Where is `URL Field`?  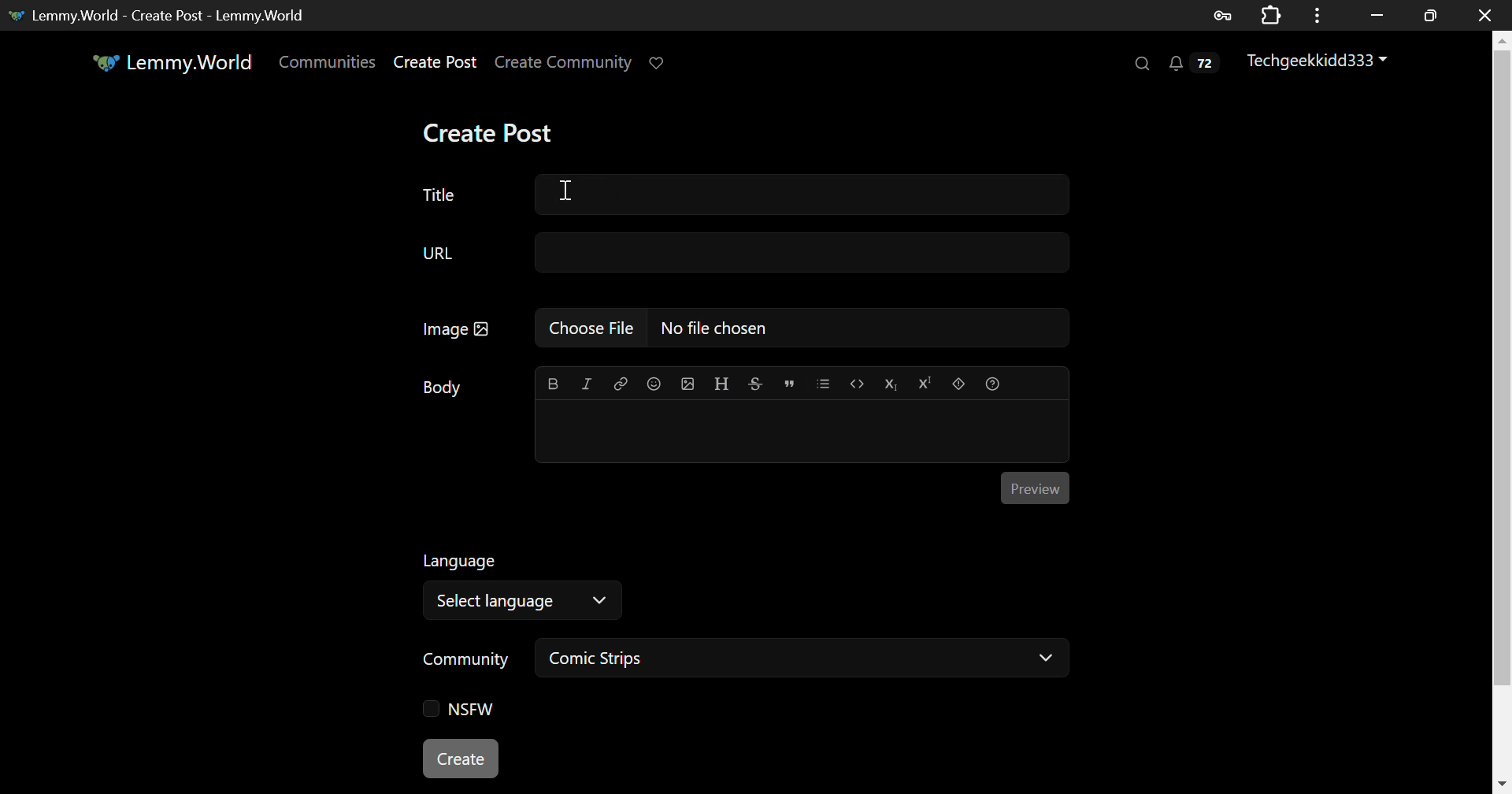 URL Field is located at coordinates (740, 254).